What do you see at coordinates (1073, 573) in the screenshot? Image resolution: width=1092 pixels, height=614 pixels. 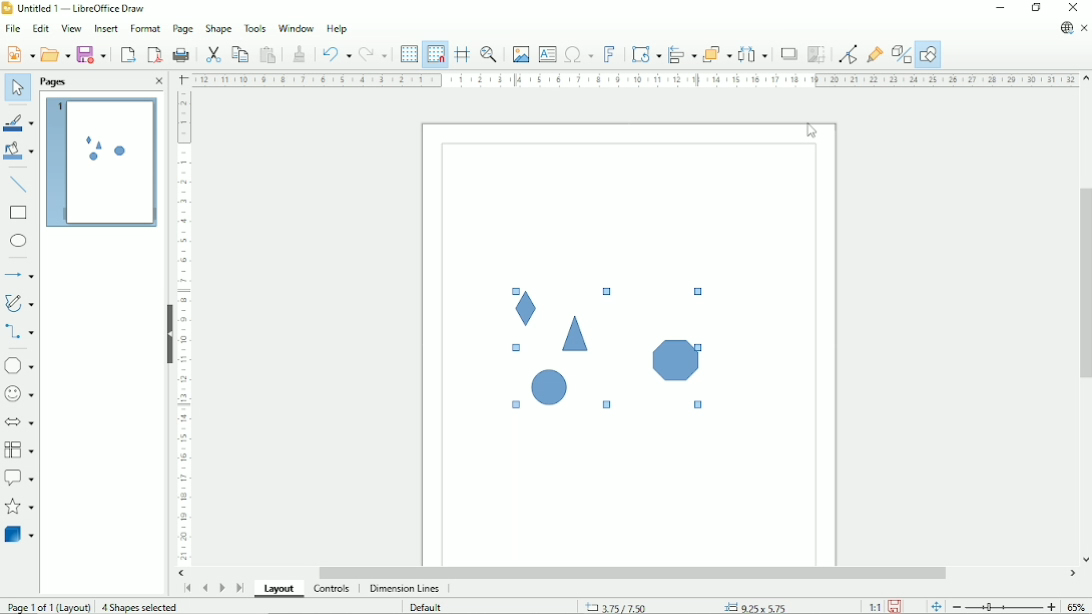 I see `Horizontal scroll button` at bounding box center [1073, 573].